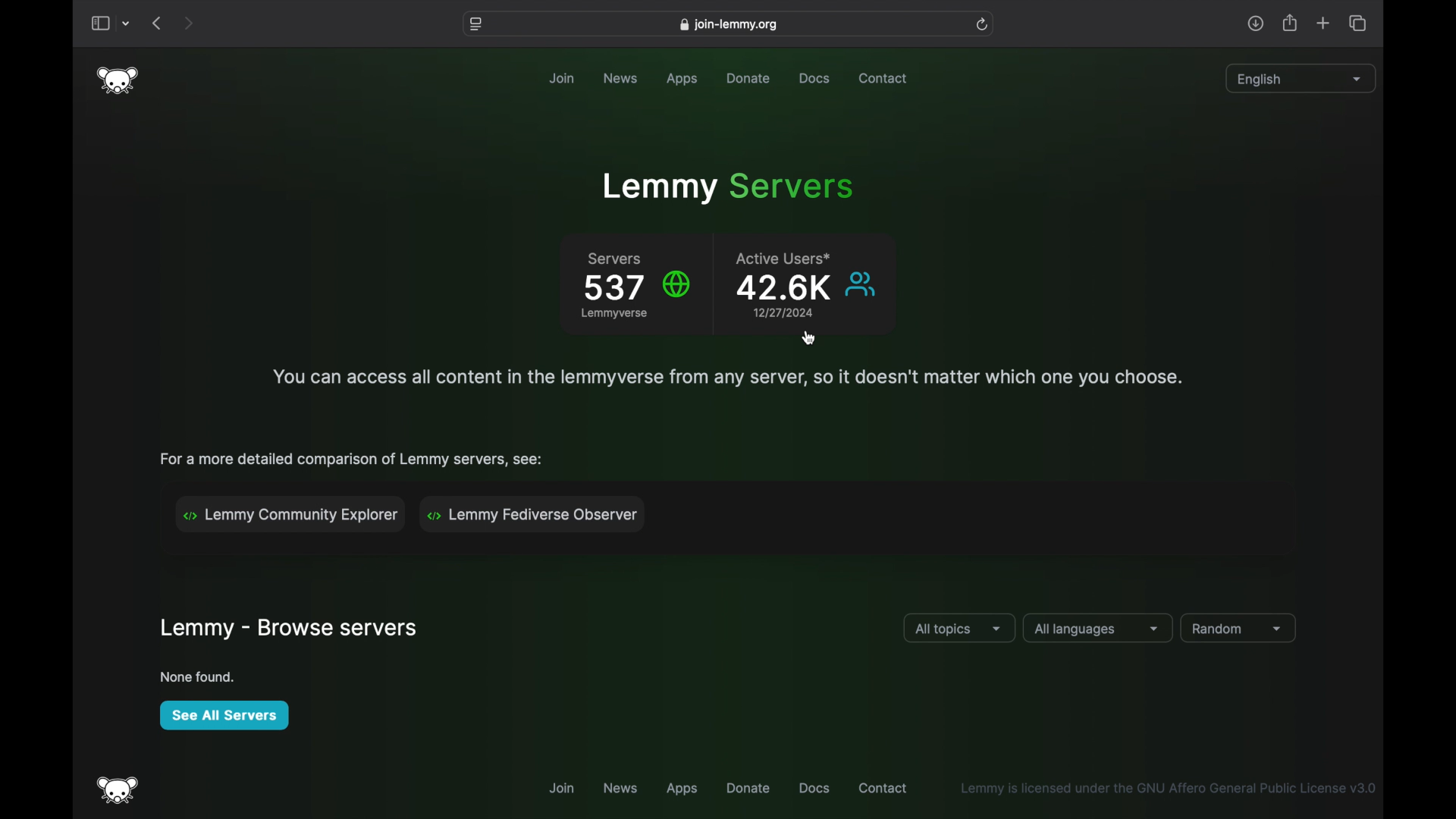 Image resolution: width=1456 pixels, height=819 pixels. Describe the element at coordinates (984, 24) in the screenshot. I see `refresh` at that location.